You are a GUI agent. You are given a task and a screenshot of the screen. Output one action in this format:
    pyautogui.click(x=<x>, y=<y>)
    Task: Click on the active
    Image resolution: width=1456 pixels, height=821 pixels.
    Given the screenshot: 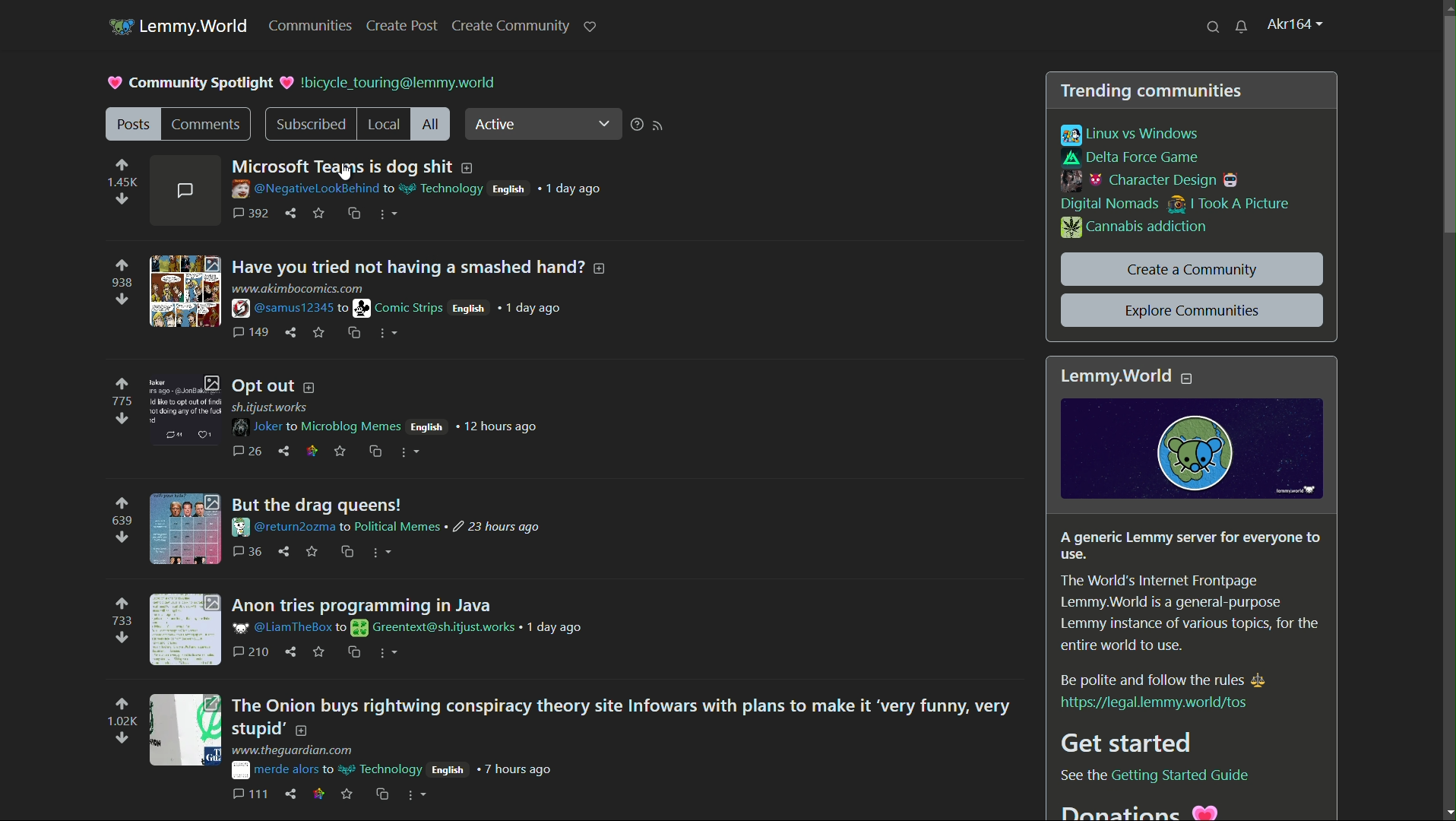 What is the action you would take?
    pyautogui.click(x=524, y=125)
    